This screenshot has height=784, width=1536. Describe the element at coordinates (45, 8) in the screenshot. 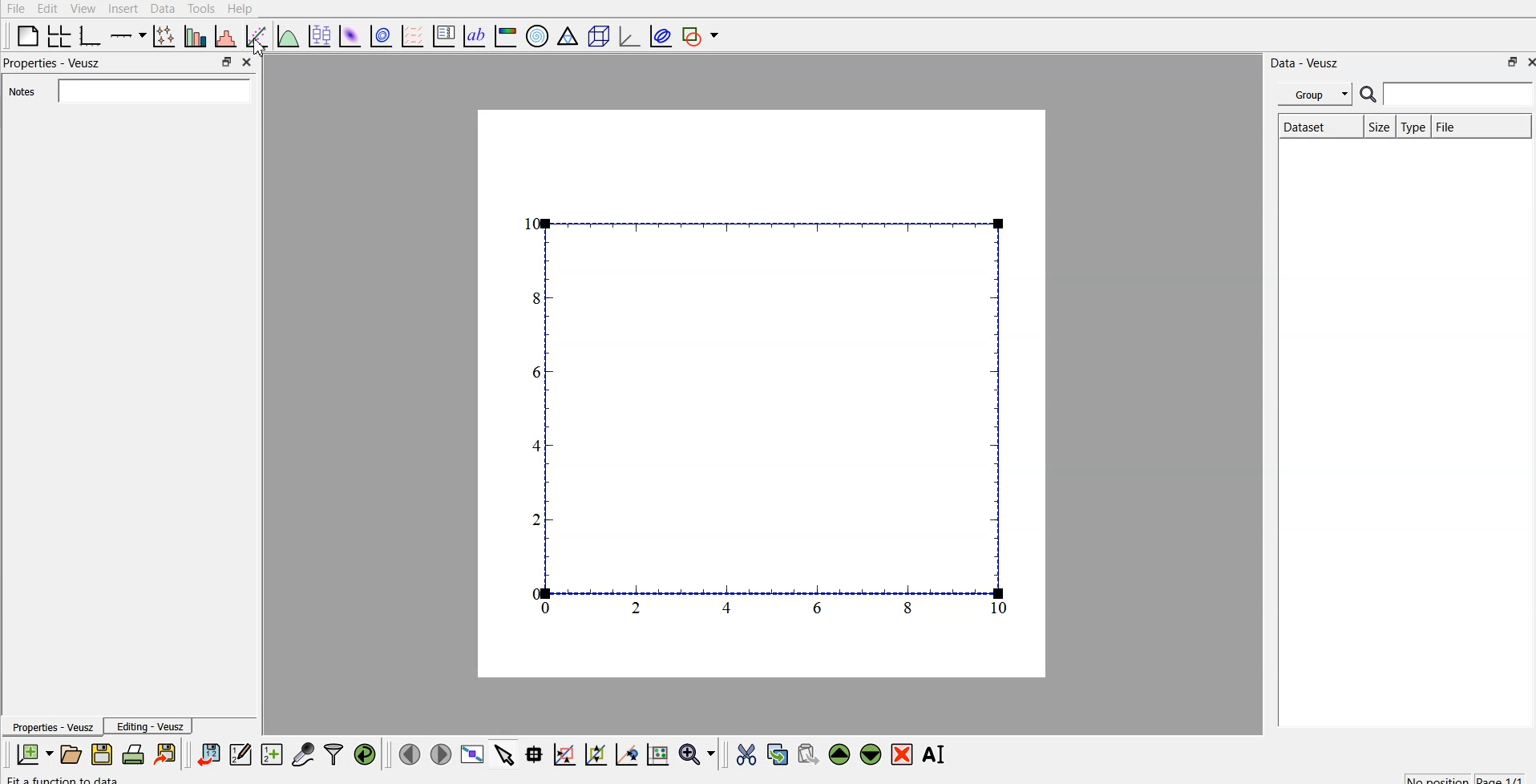

I see `edit` at that location.